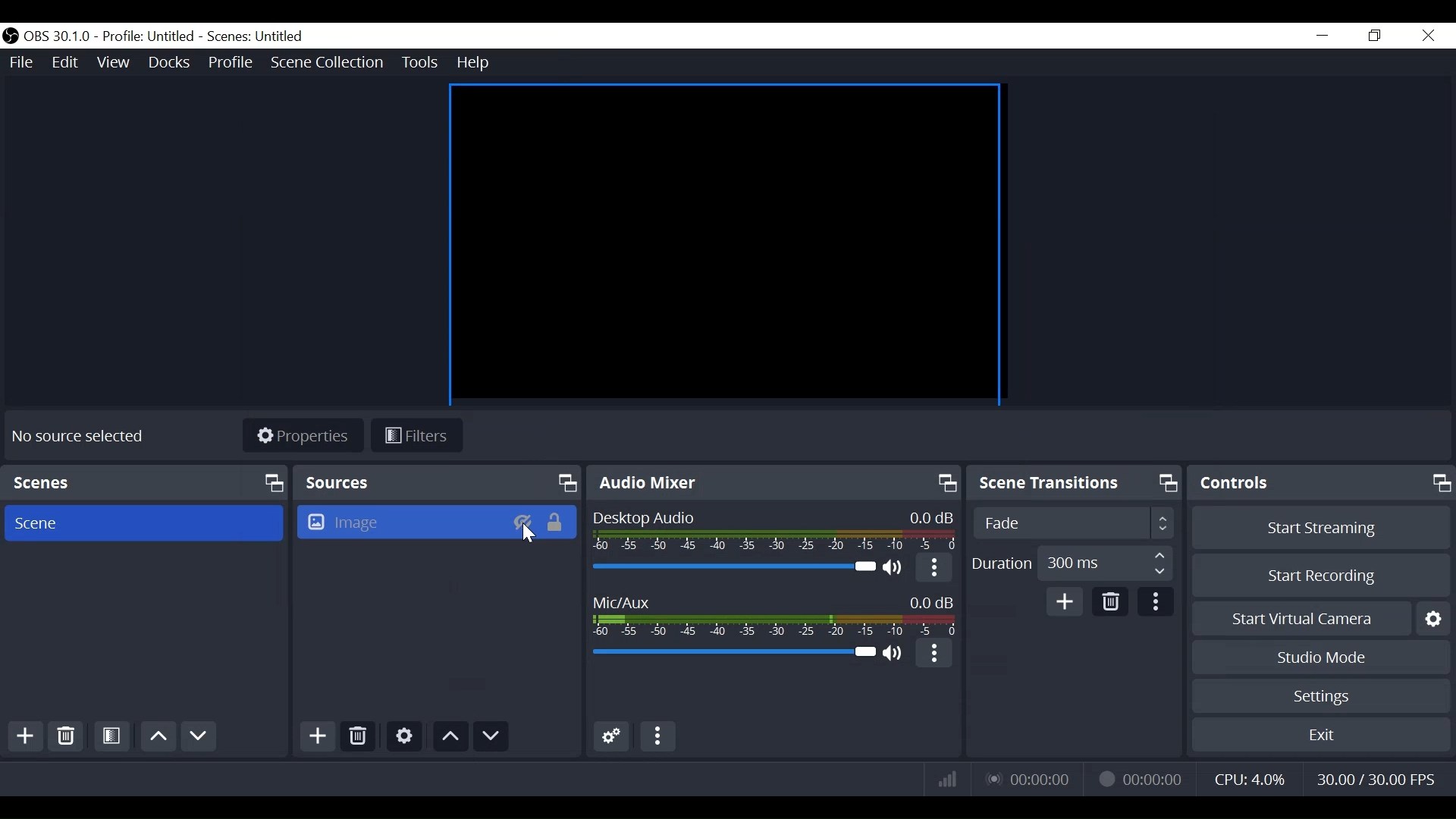 Image resolution: width=1456 pixels, height=819 pixels. What do you see at coordinates (438, 482) in the screenshot?
I see `Sources` at bounding box center [438, 482].